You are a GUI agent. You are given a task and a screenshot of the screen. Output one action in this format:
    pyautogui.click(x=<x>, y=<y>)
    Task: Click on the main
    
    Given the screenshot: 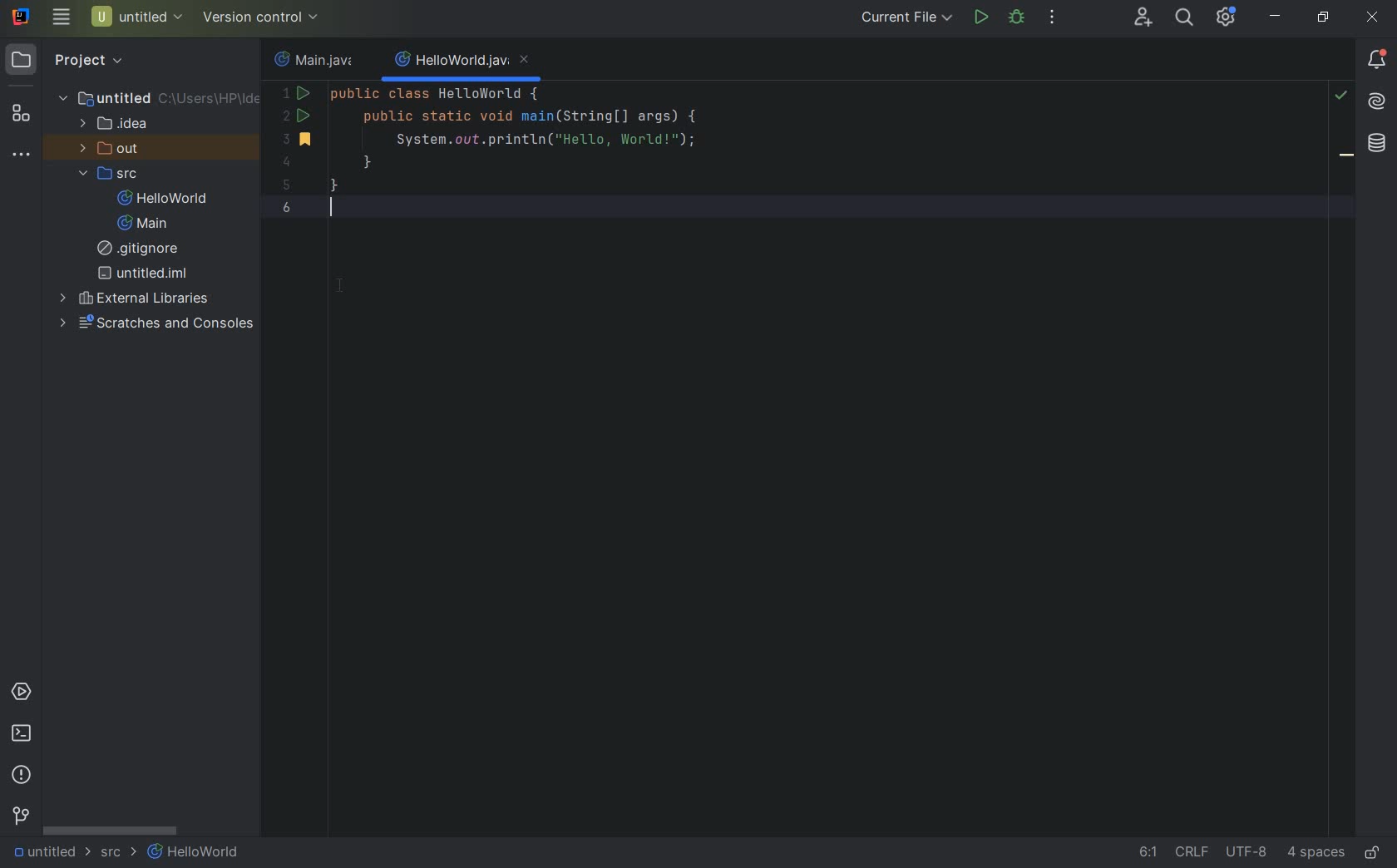 What is the action you would take?
    pyautogui.click(x=138, y=224)
    